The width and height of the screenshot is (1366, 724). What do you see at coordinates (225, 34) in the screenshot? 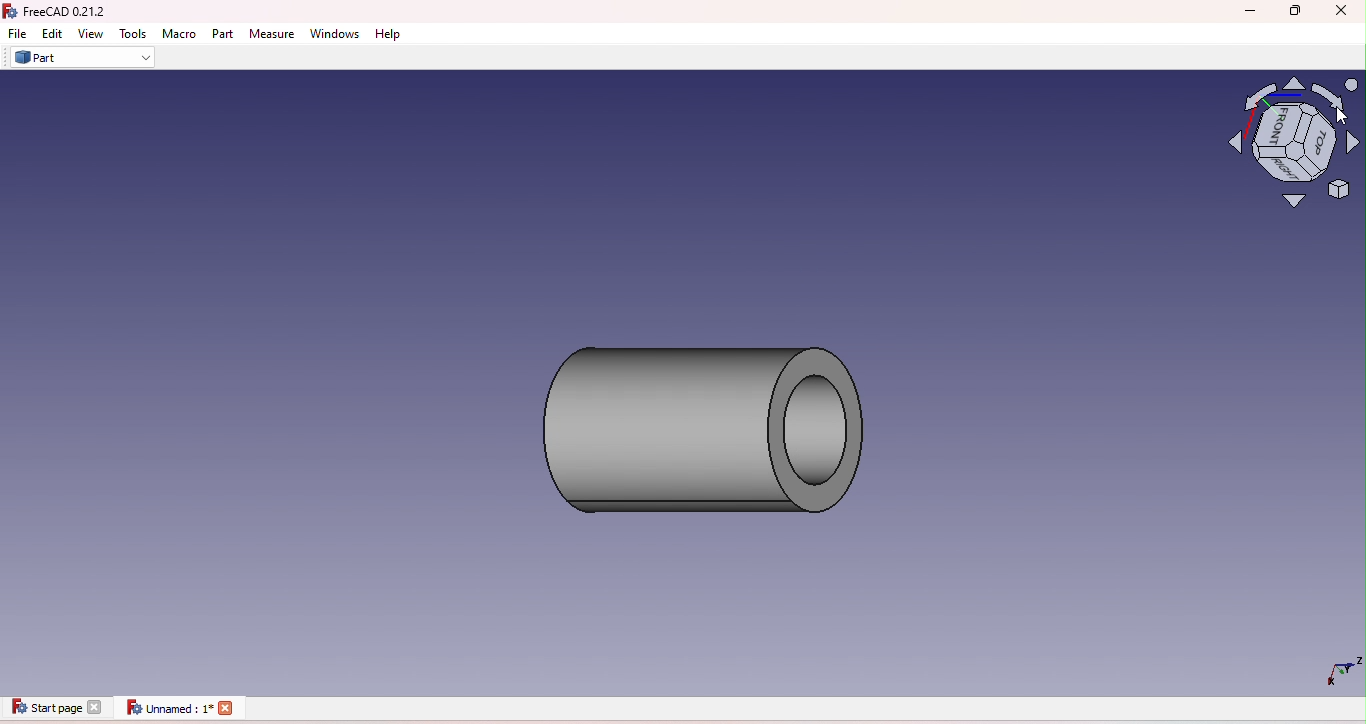
I see `Part` at bounding box center [225, 34].